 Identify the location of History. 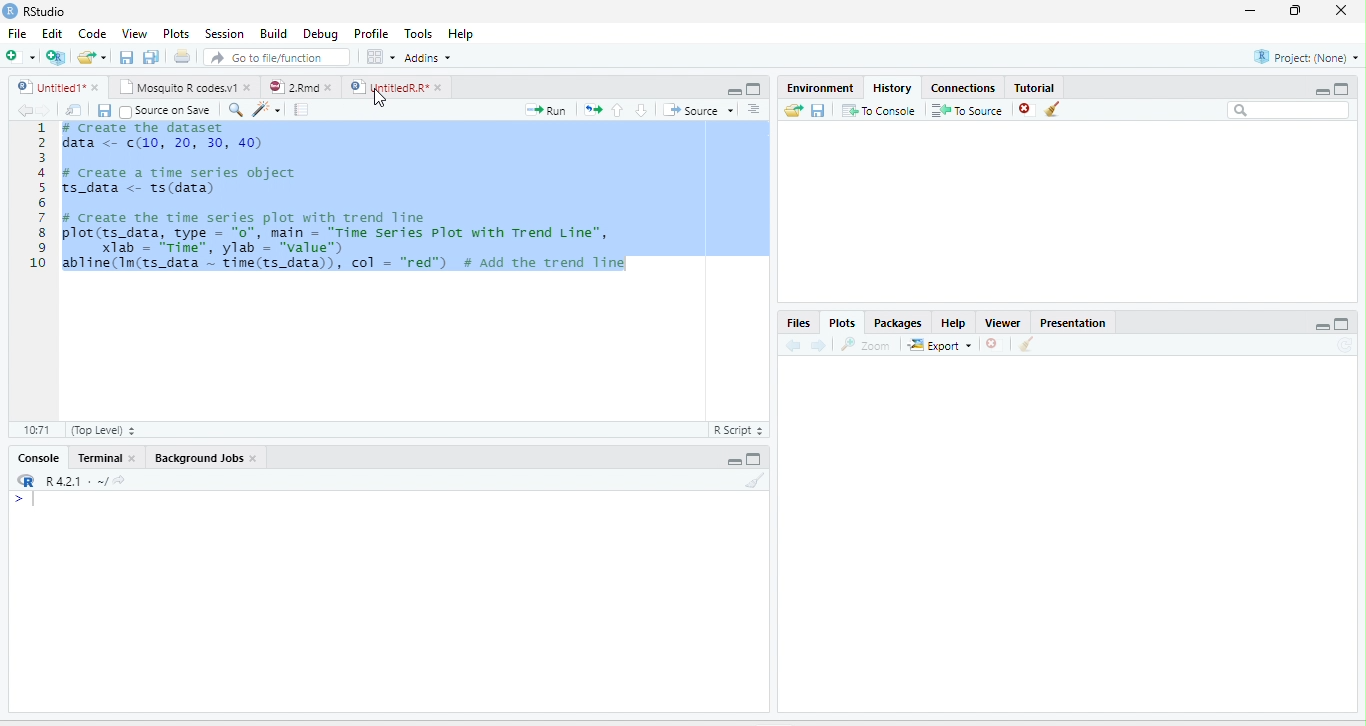
(893, 87).